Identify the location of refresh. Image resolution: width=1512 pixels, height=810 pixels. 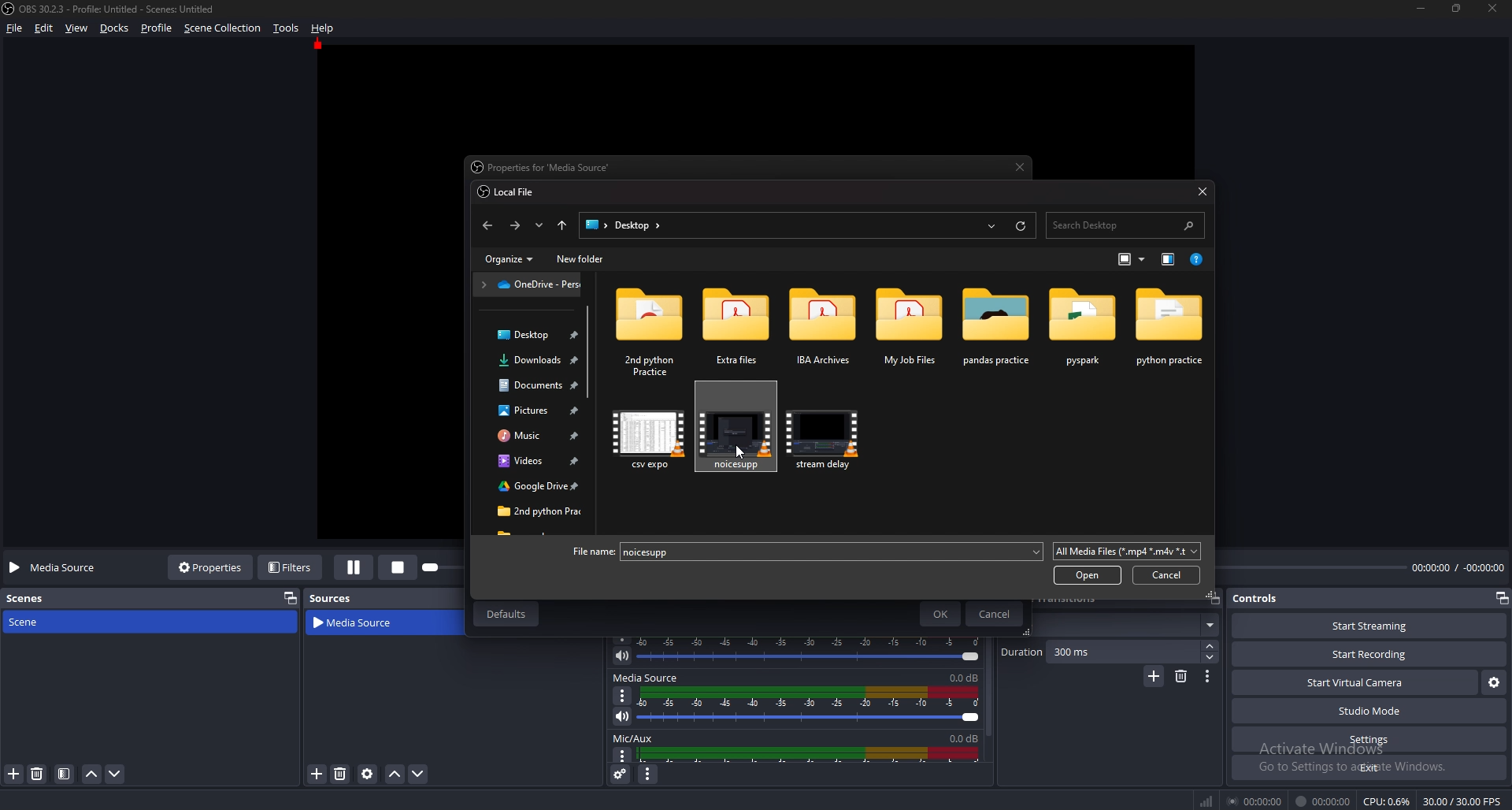
(1021, 225).